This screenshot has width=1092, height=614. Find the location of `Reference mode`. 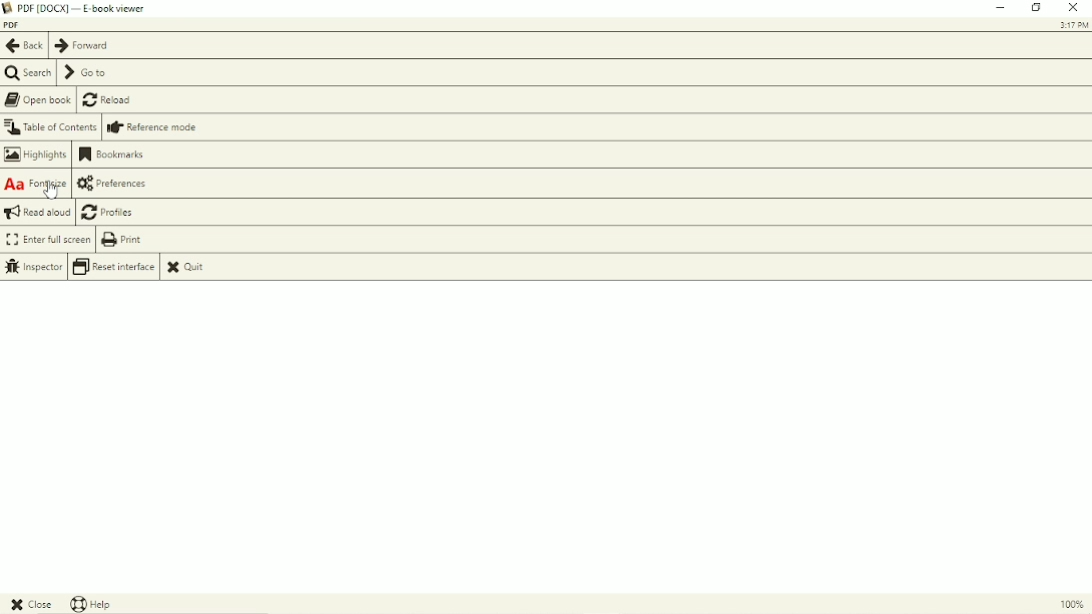

Reference mode is located at coordinates (155, 128).